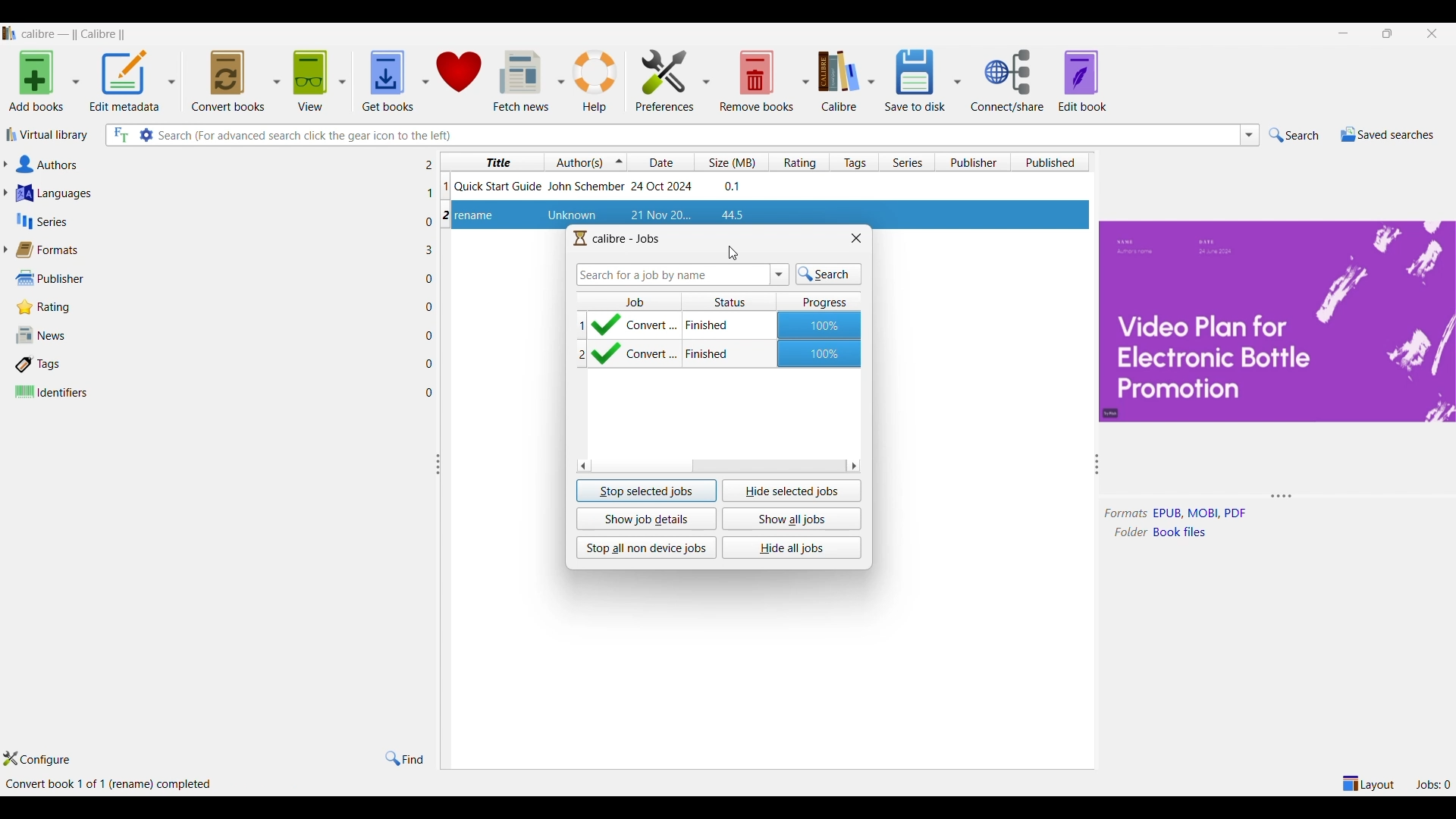 Image resolution: width=1456 pixels, height=819 pixels. I want to click on Search, so click(830, 275).